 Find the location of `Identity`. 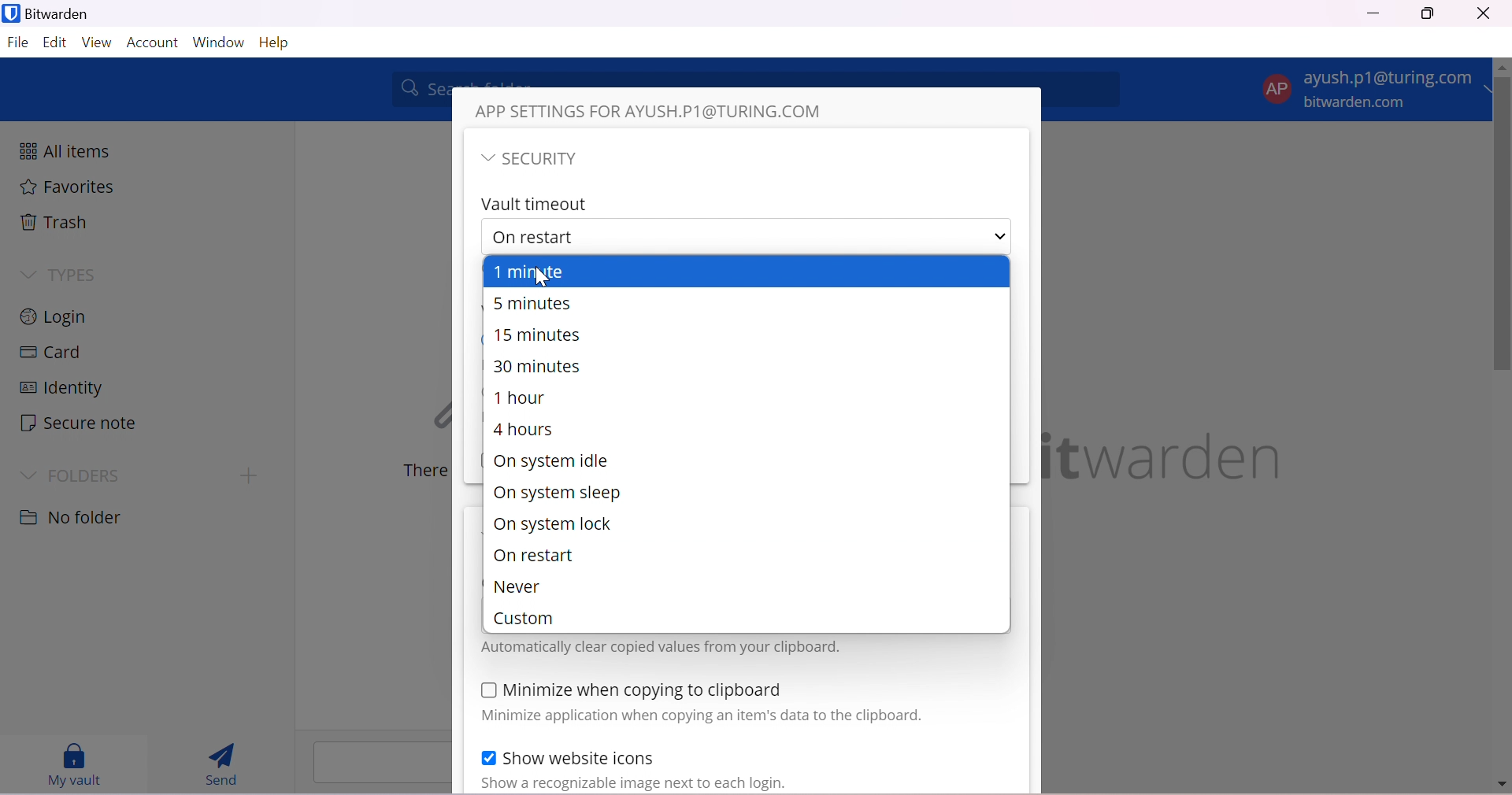

Identity is located at coordinates (61, 388).